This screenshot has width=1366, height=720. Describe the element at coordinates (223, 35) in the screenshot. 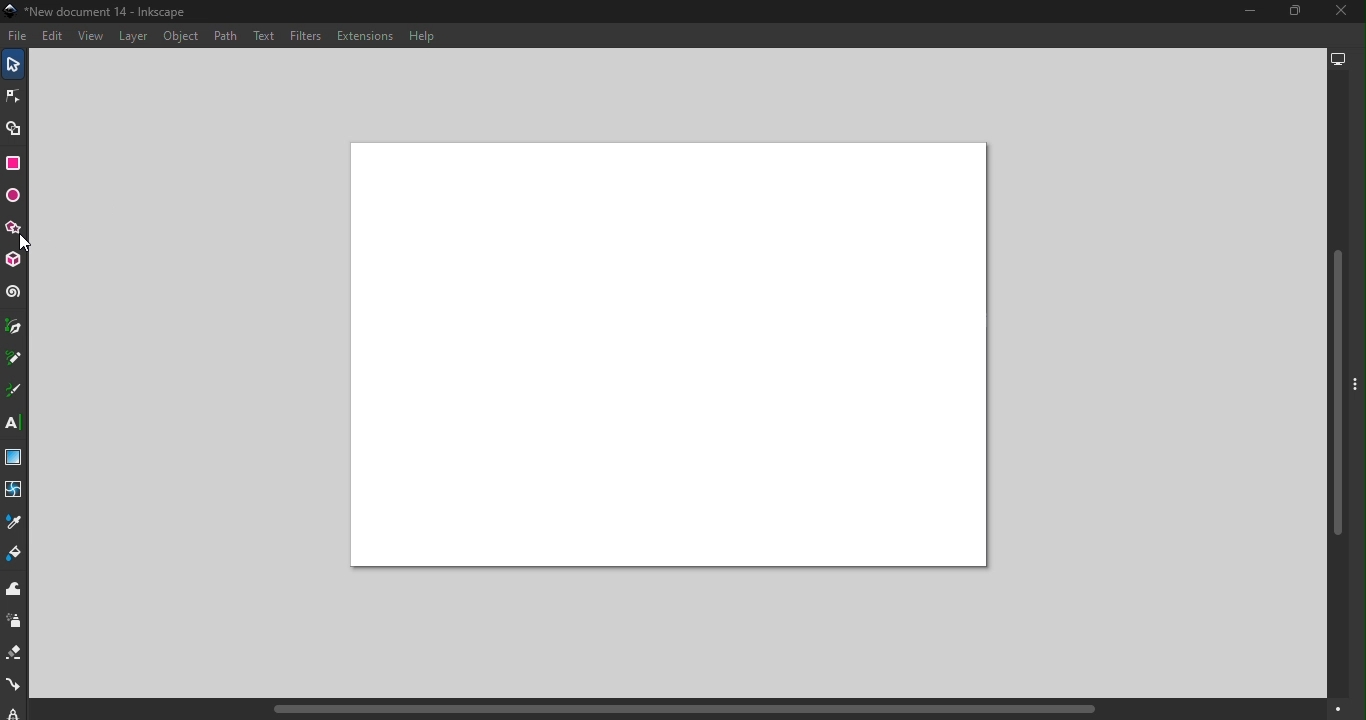

I see `Path` at that location.